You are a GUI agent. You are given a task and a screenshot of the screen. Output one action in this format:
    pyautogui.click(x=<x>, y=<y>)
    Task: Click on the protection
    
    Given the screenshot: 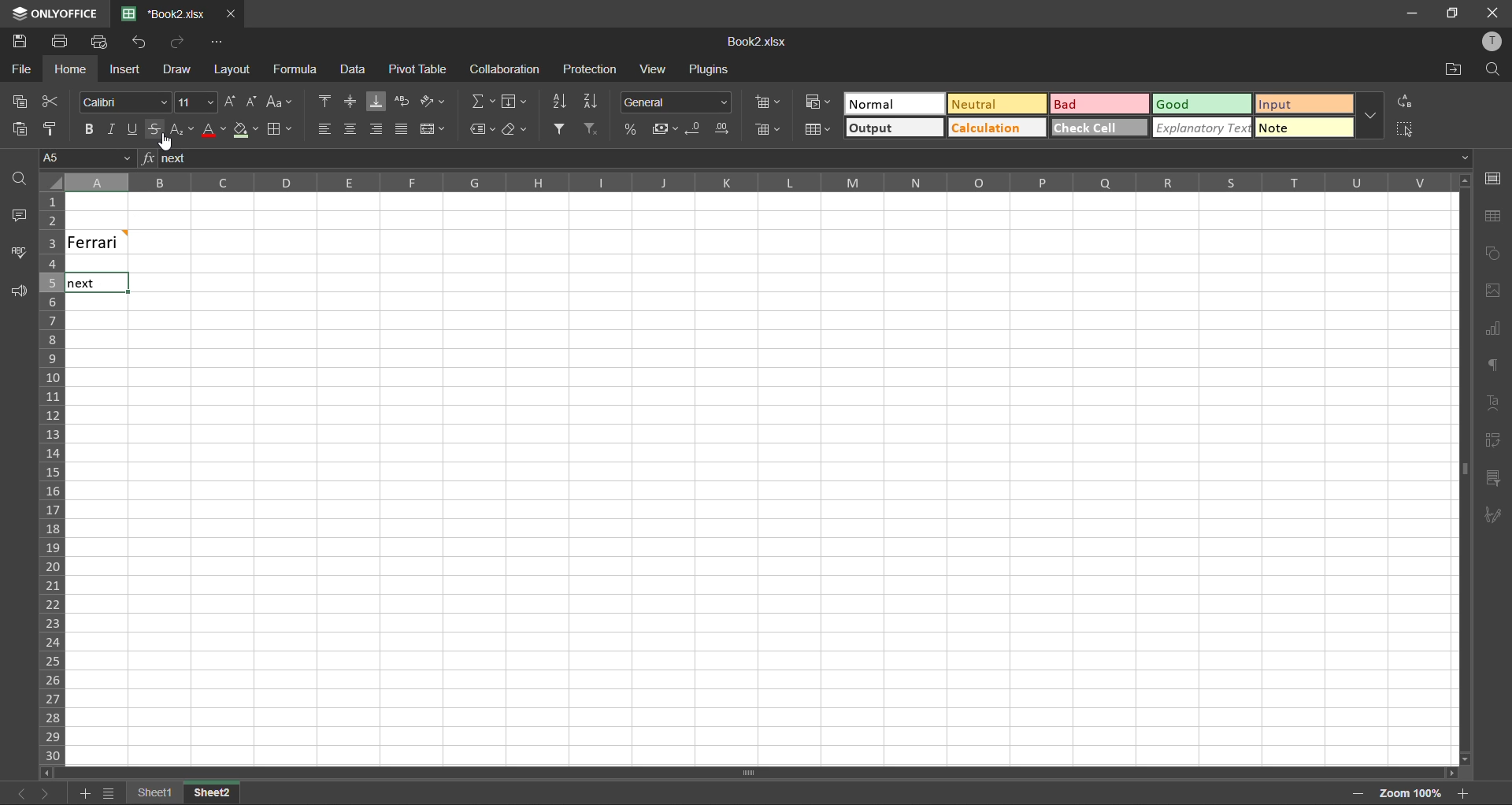 What is the action you would take?
    pyautogui.click(x=593, y=70)
    